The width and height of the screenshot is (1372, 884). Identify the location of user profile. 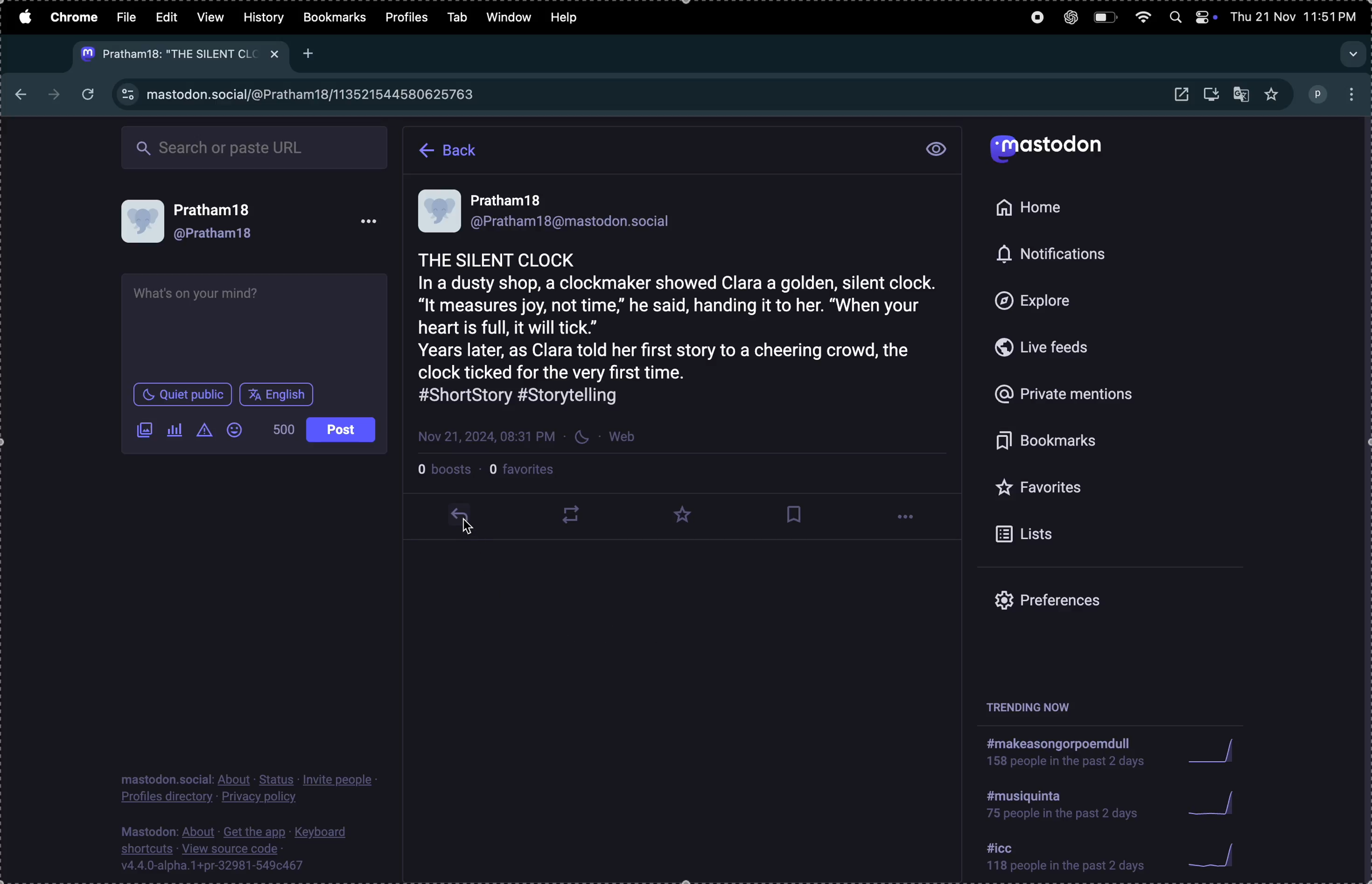
(256, 224).